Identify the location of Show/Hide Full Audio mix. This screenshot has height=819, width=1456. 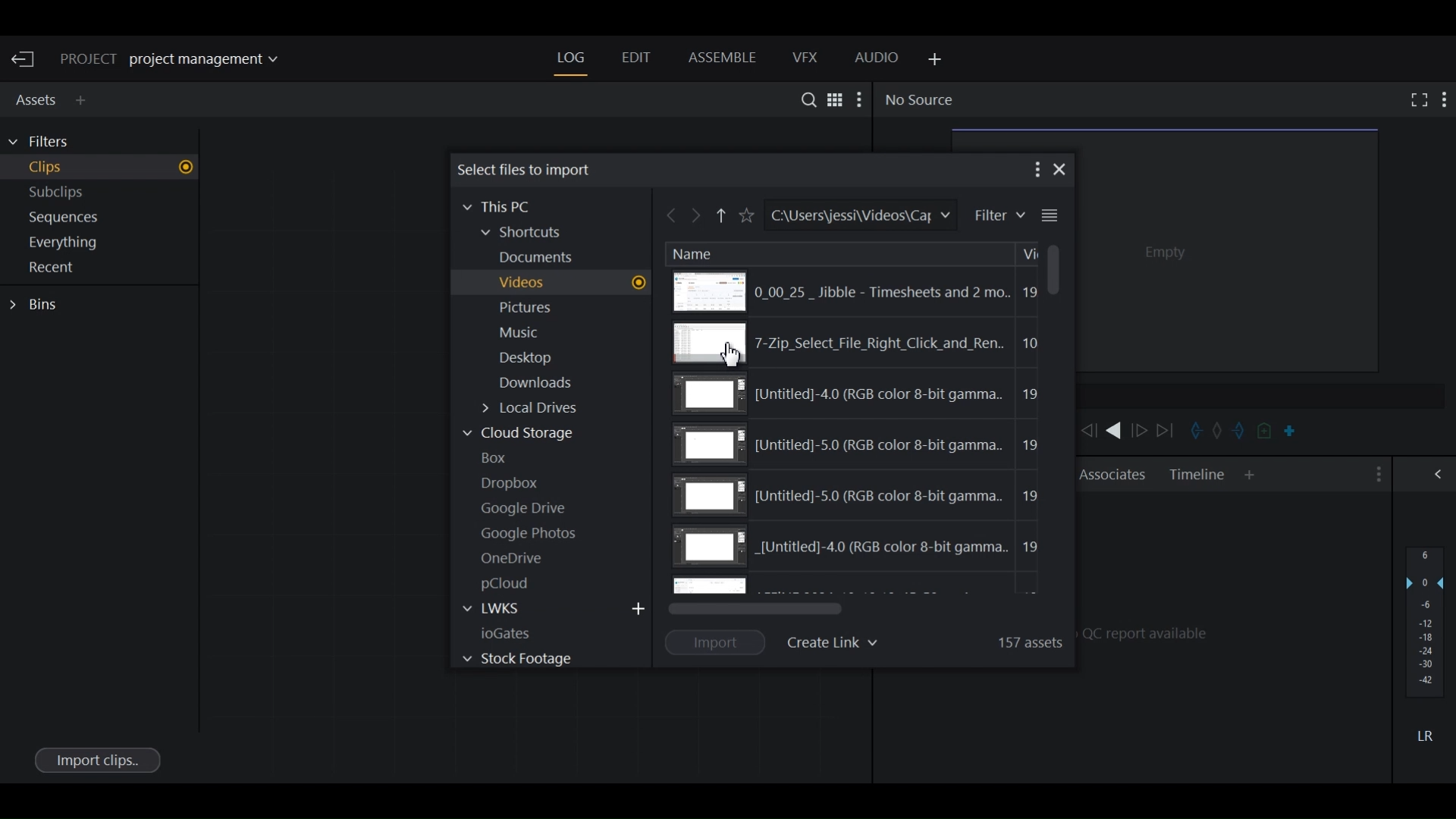
(1441, 473).